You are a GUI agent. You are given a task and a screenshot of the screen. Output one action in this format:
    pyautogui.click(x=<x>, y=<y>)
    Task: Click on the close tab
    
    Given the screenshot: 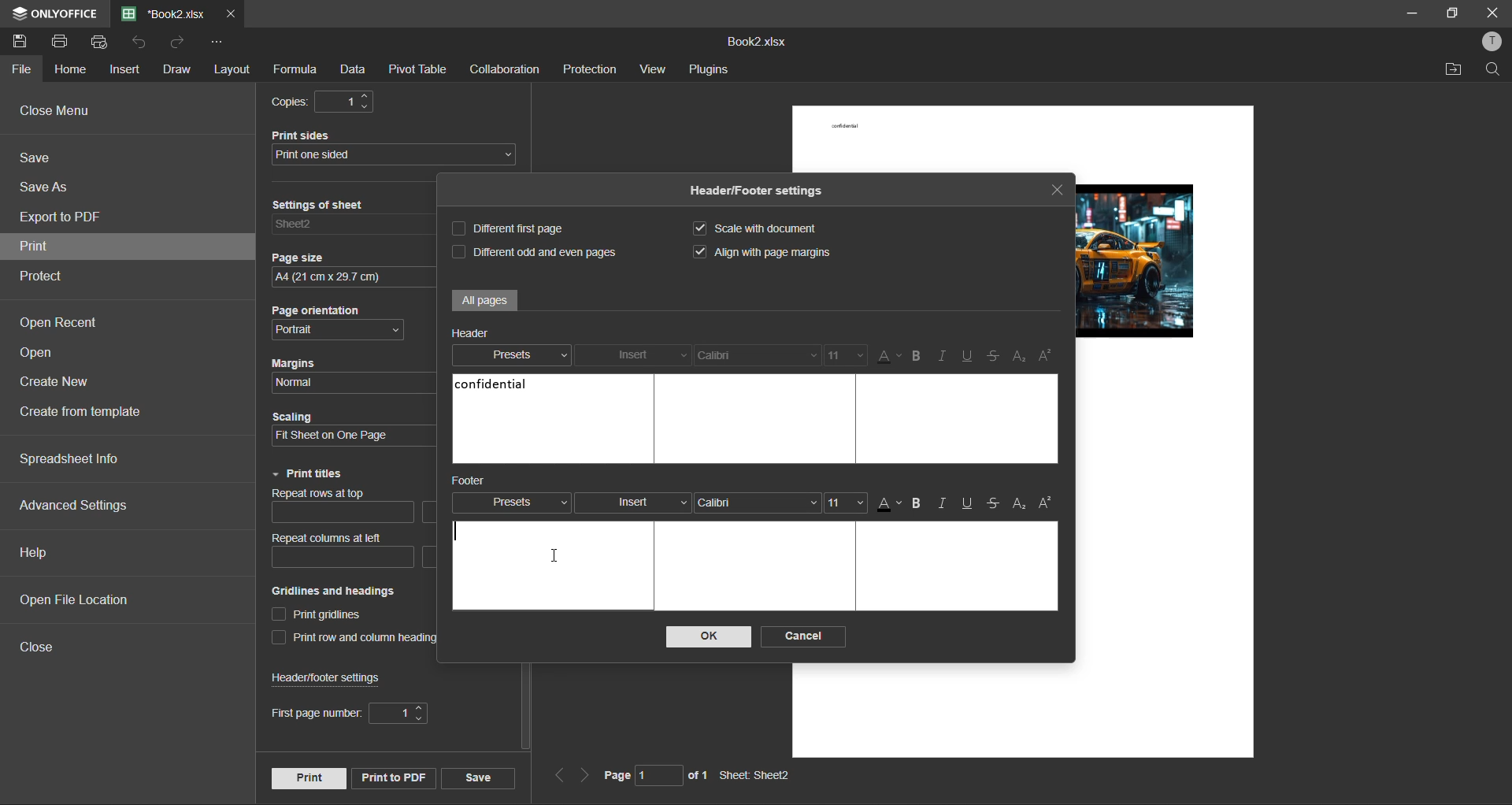 What is the action you would take?
    pyautogui.click(x=230, y=10)
    